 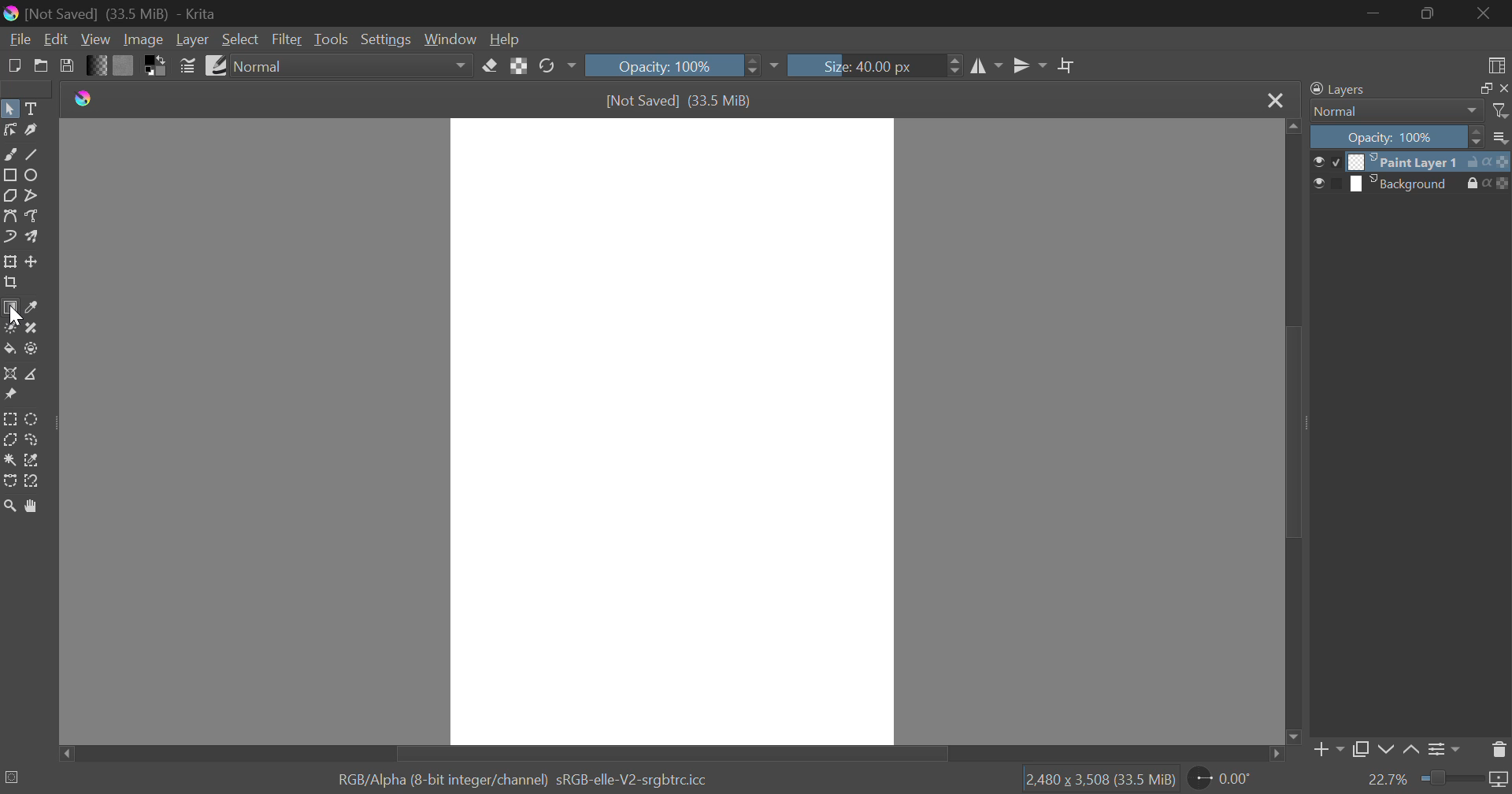 What do you see at coordinates (1503, 184) in the screenshot?
I see `icon` at bounding box center [1503, 184].